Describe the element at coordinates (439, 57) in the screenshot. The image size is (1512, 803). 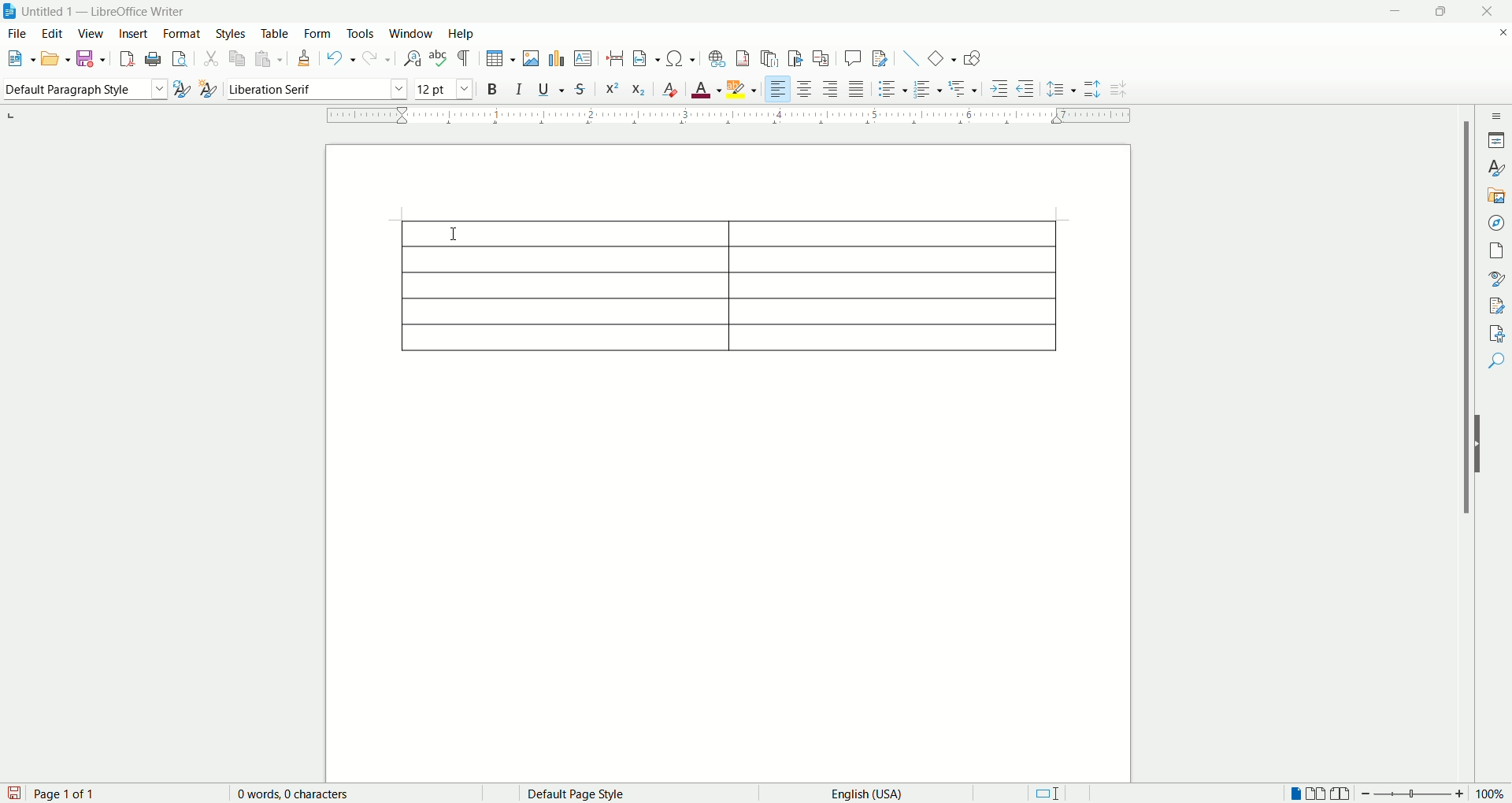
I see `spell check` at that location.